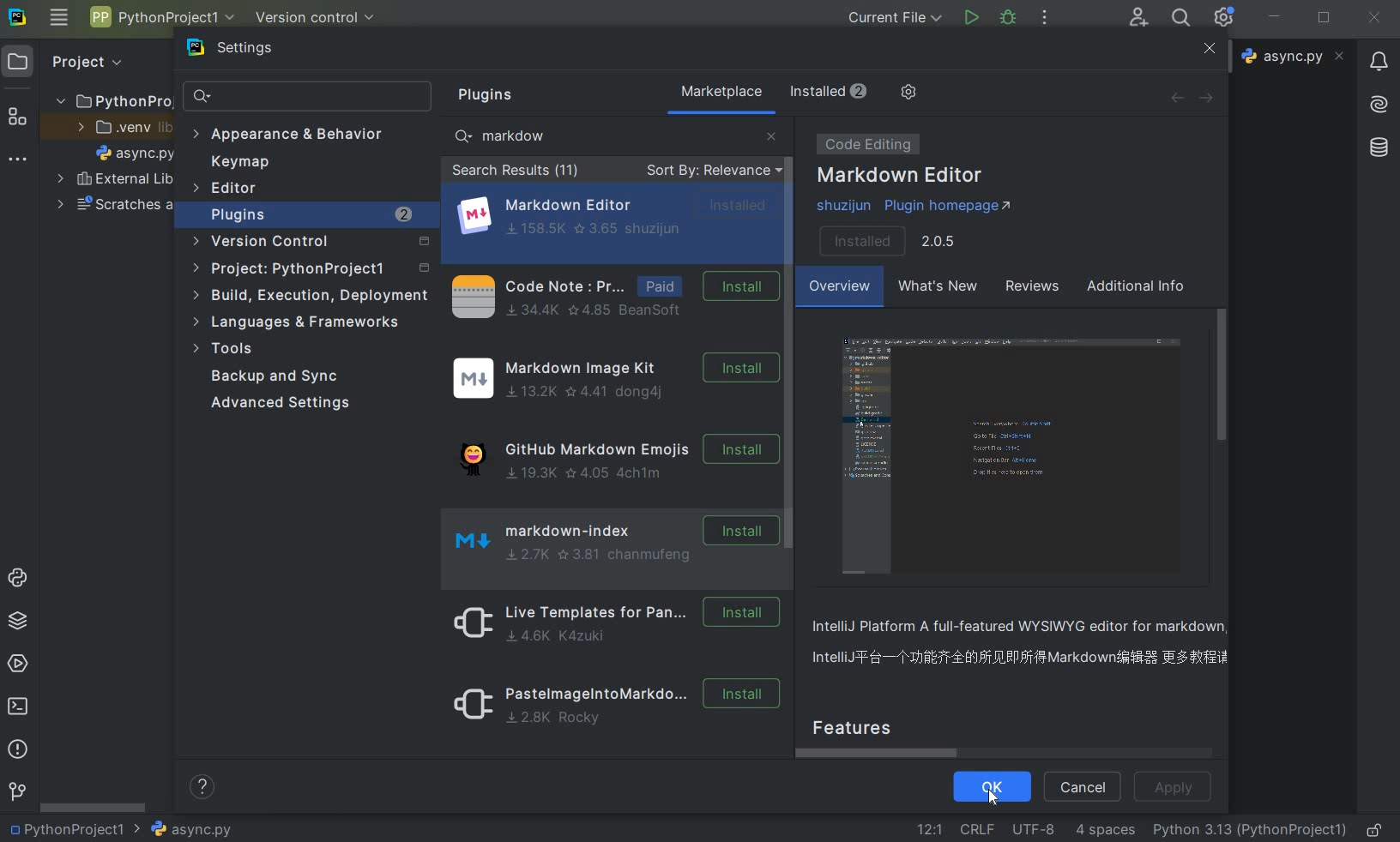 The height and width of the screenshot is (842, 1400). What do you see at coordinates (492, 95) in the screenshot?
I see `plugins` at bounding box center [492, 95].